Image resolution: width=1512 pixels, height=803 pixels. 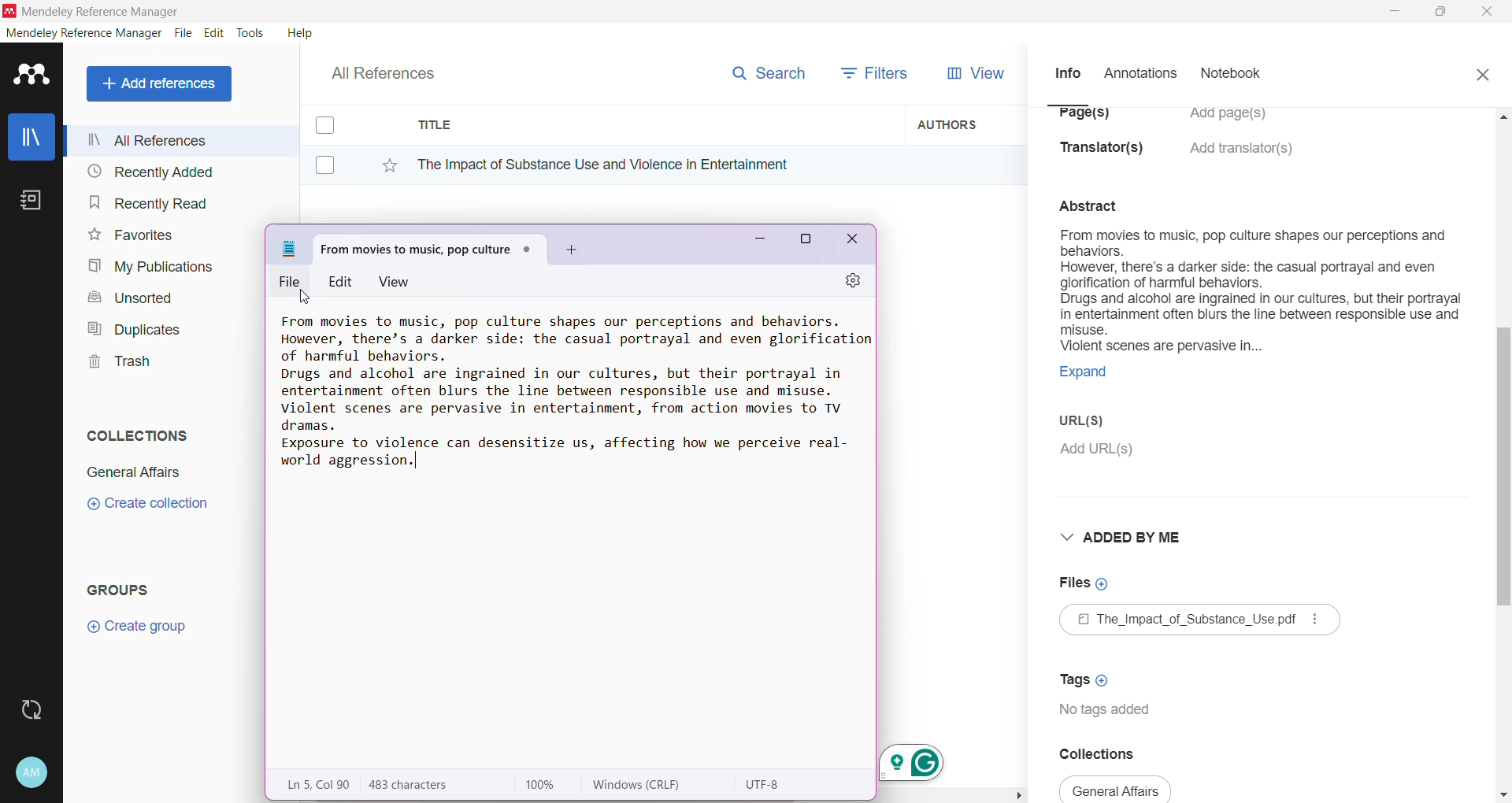 I want to click on Maximize, so click(x=806, y=242).